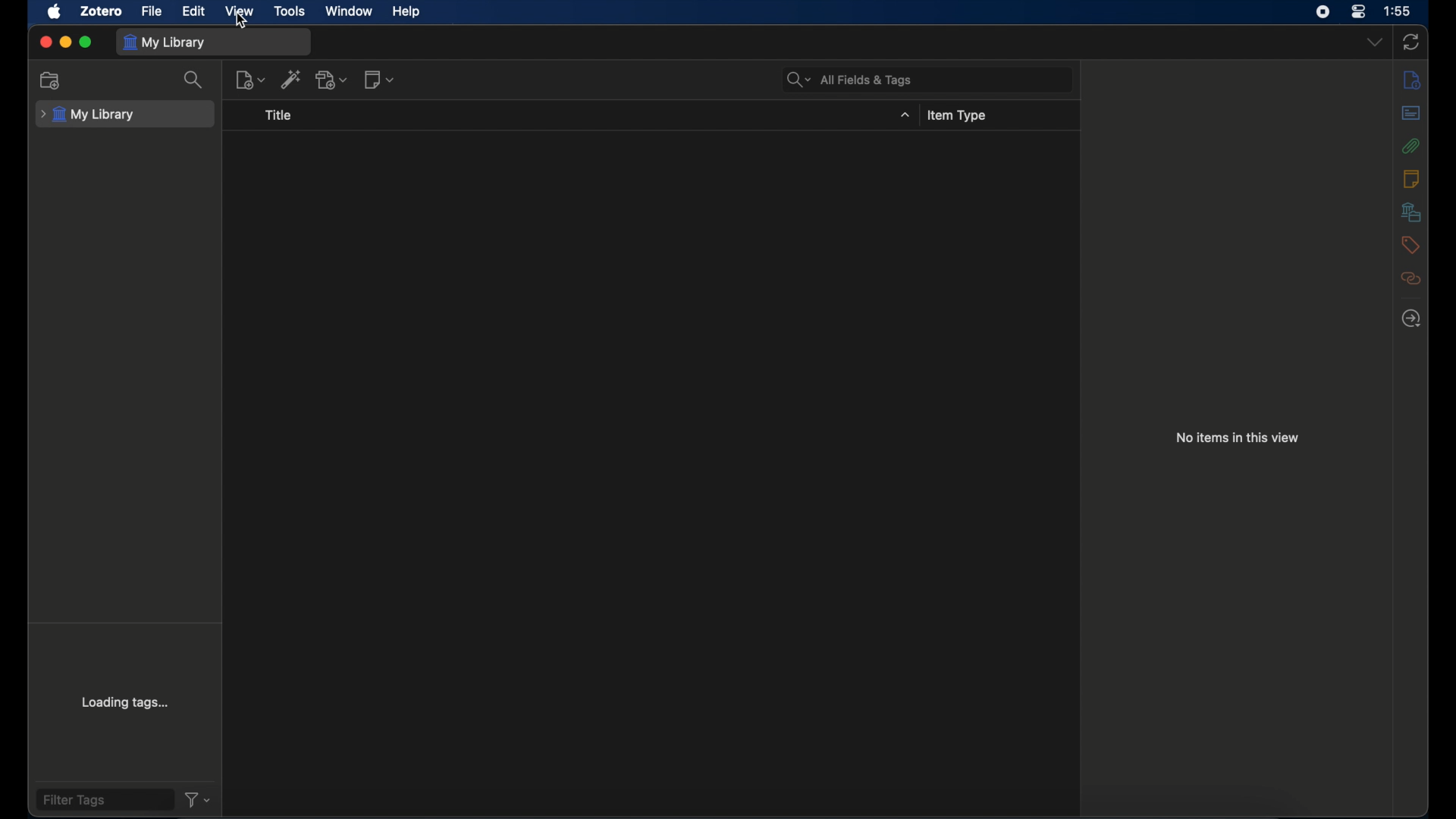  I want to click on my library, so click(168, 42).